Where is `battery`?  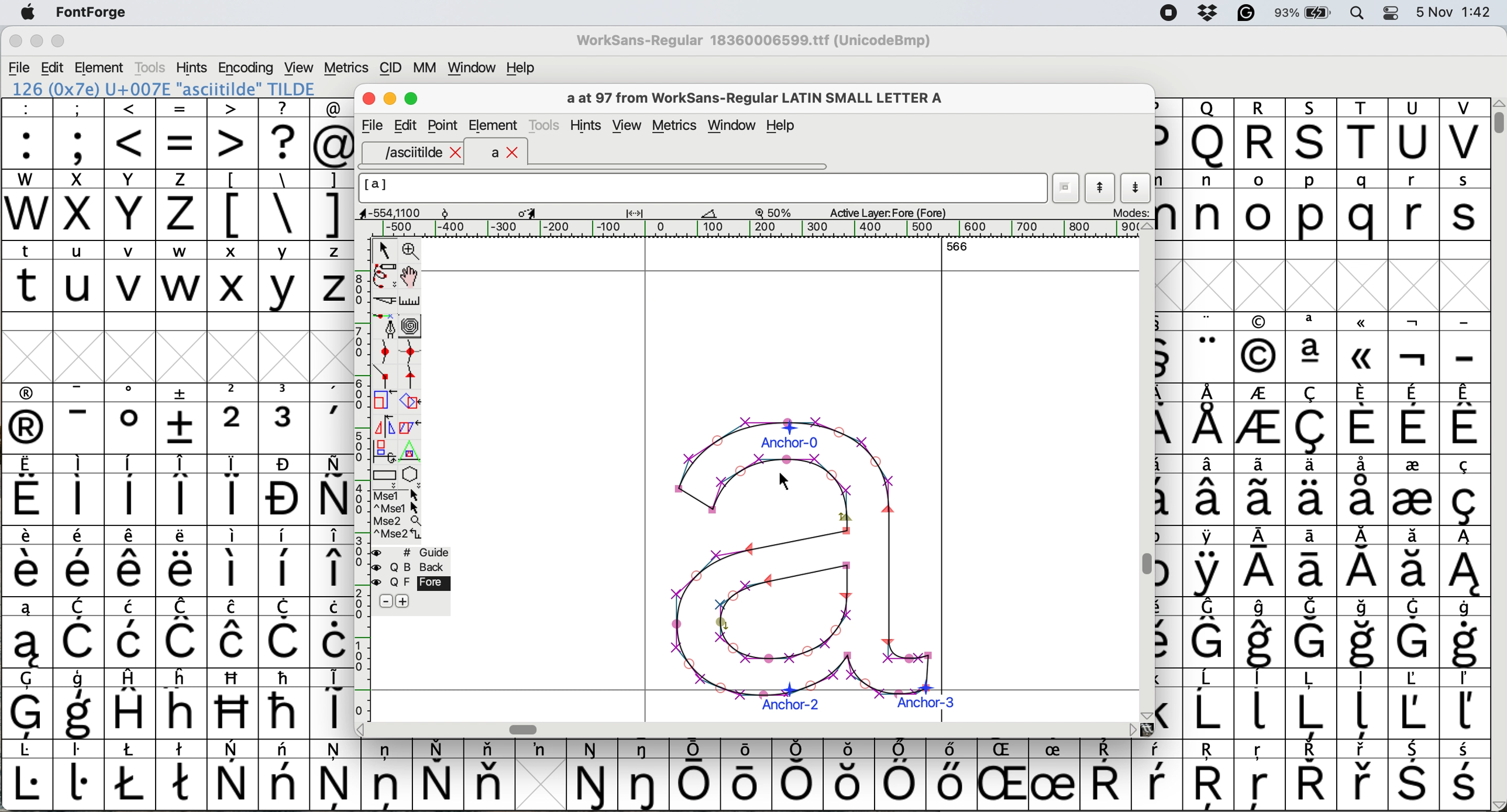 battery is located at coordinates (1308, 12).